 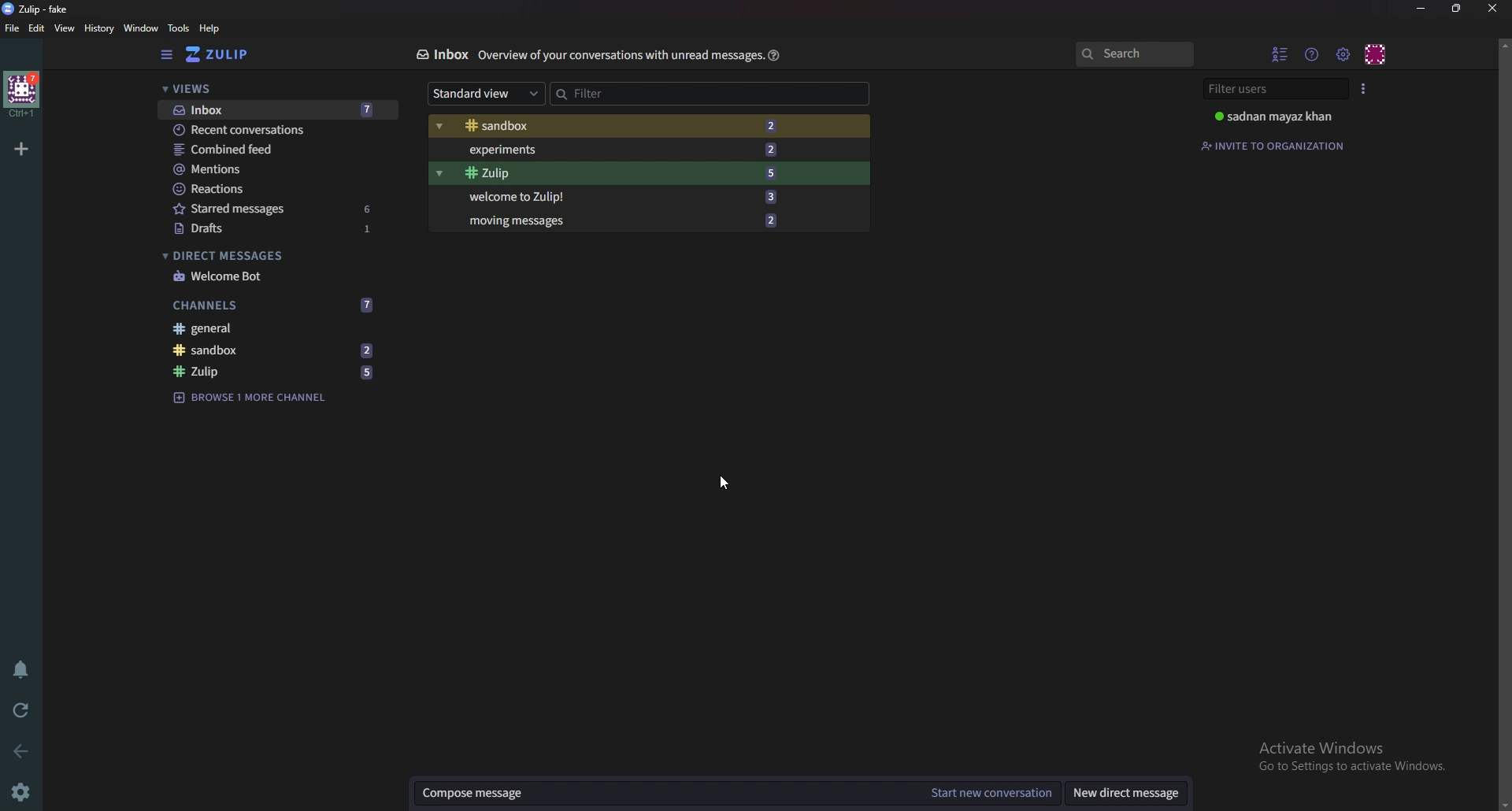 What do you see at coordinates (279, 110) in the screenshot?
I see `inbox` at bounding box center [279, 110].